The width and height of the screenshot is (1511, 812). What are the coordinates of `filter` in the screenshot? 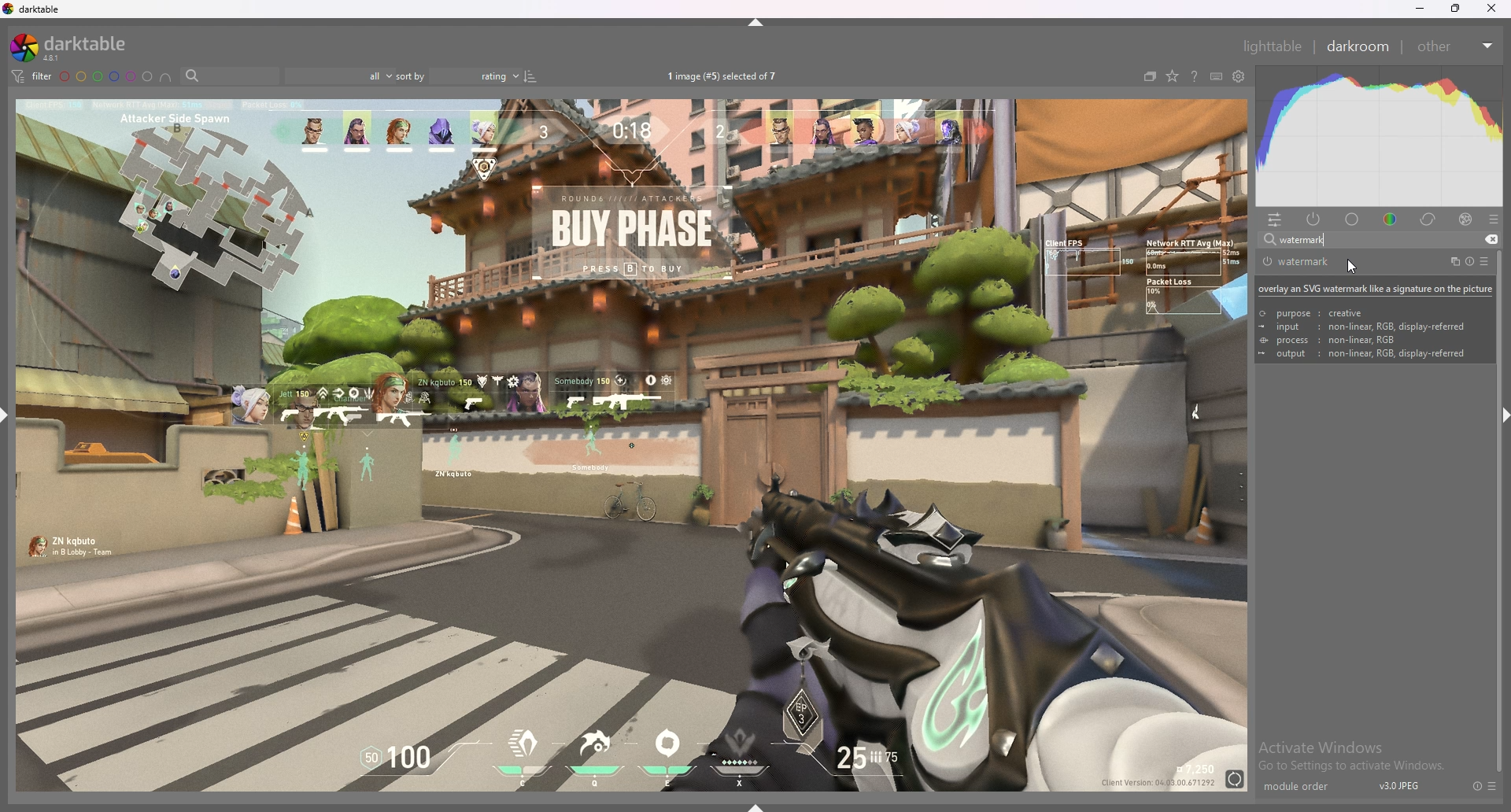 It's located at (30, 76).